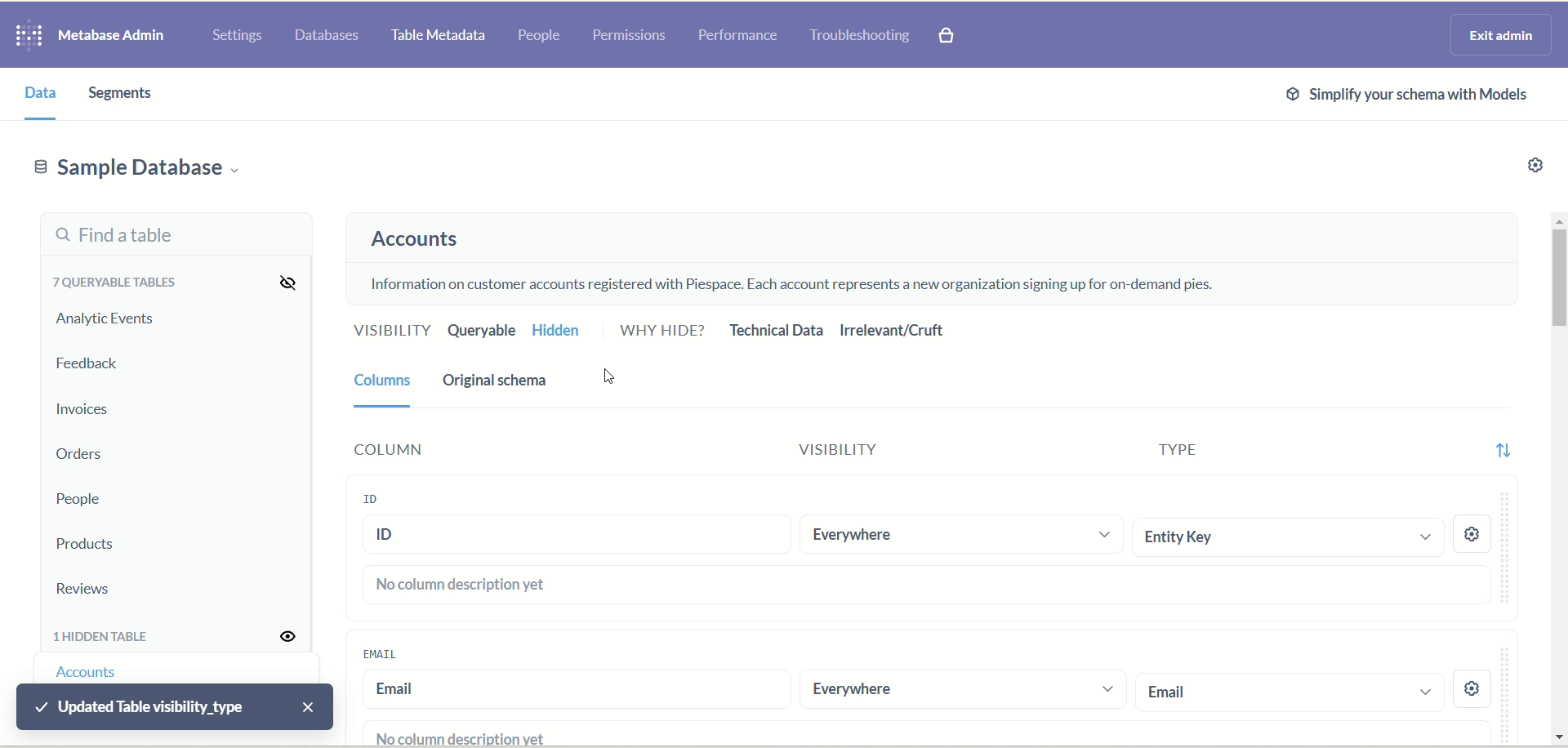 This screenshot has width=1568, height=748. I want to click on original schema, so click(504, 387).